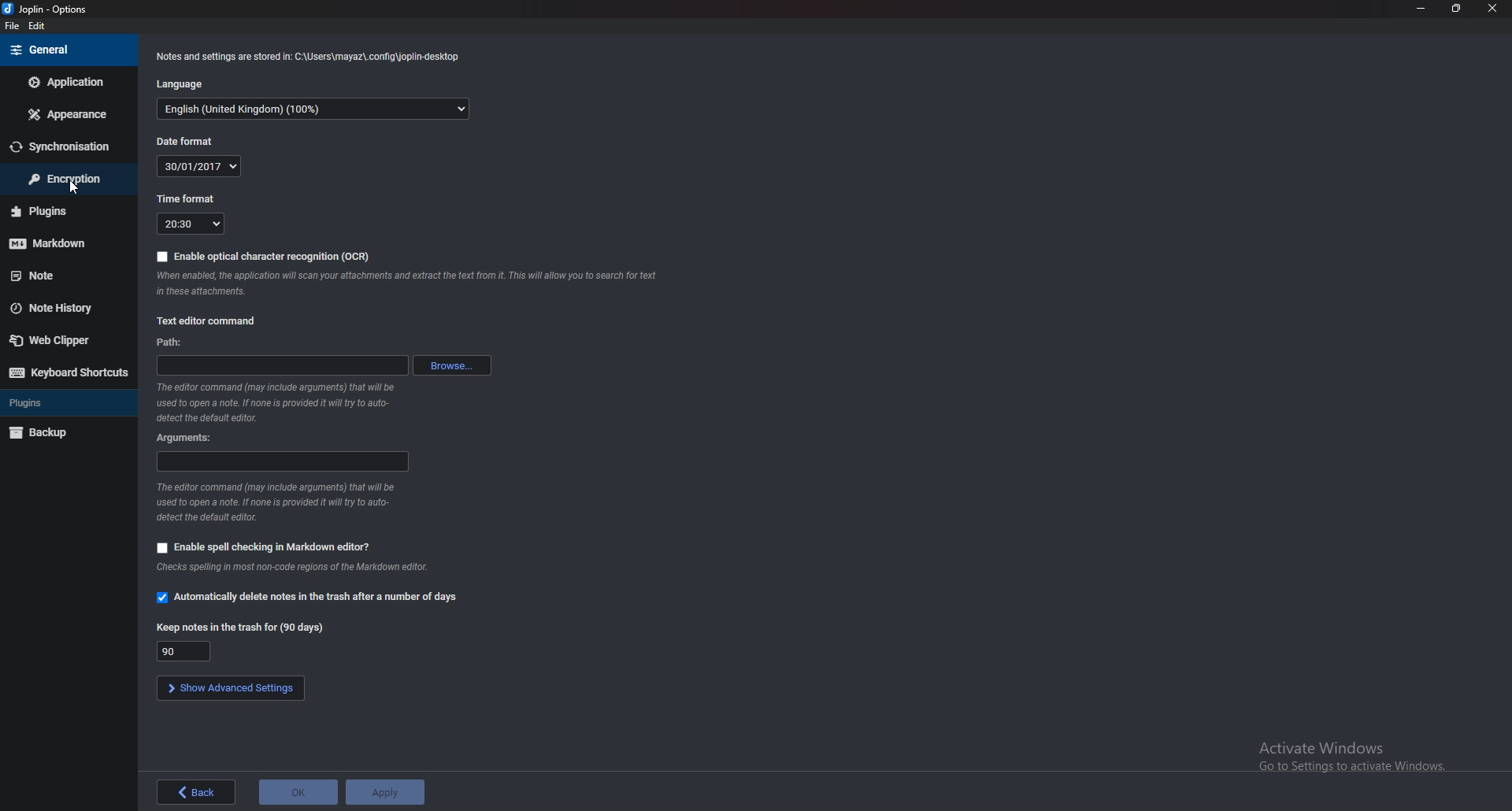  What do you see at coordinates (263, 255) in the screenshot?
I see `enable OCR` at bounding box center [263, 255].